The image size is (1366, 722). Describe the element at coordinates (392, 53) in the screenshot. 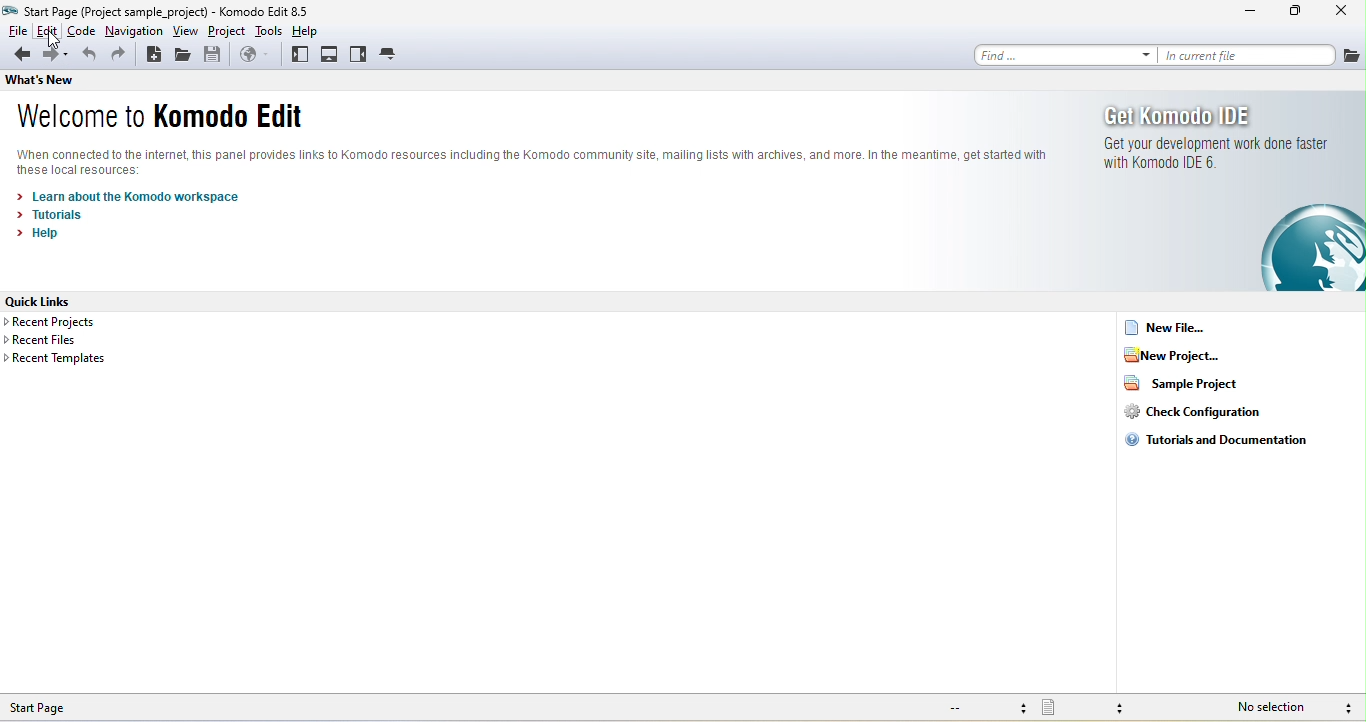

I see `tabs` at that location.